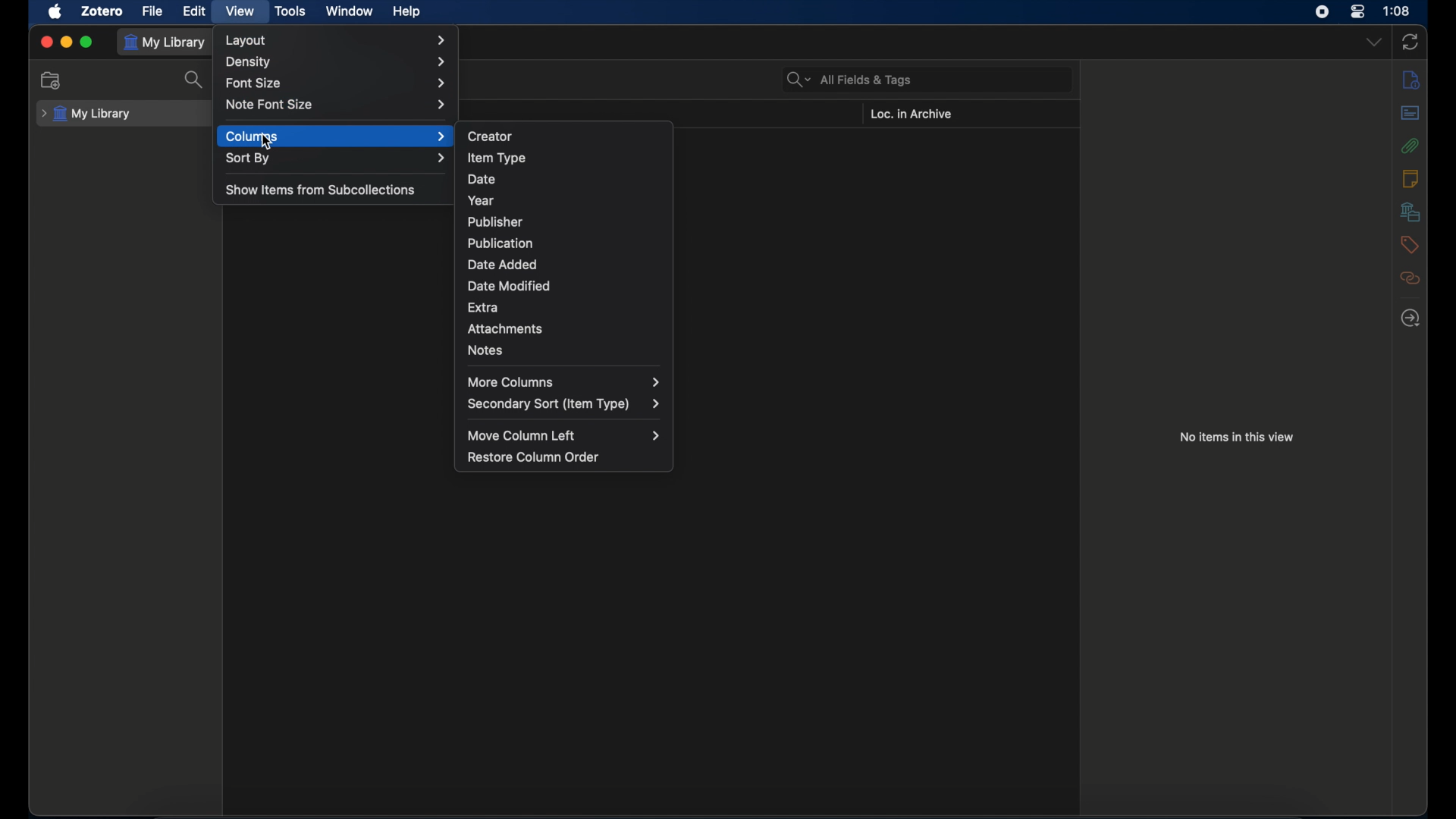 This screenshot has width=1456, height=819. What do you see at coordinates (195, 11) in the screenshot?
I see `edit` at bounding box center [195, 11].